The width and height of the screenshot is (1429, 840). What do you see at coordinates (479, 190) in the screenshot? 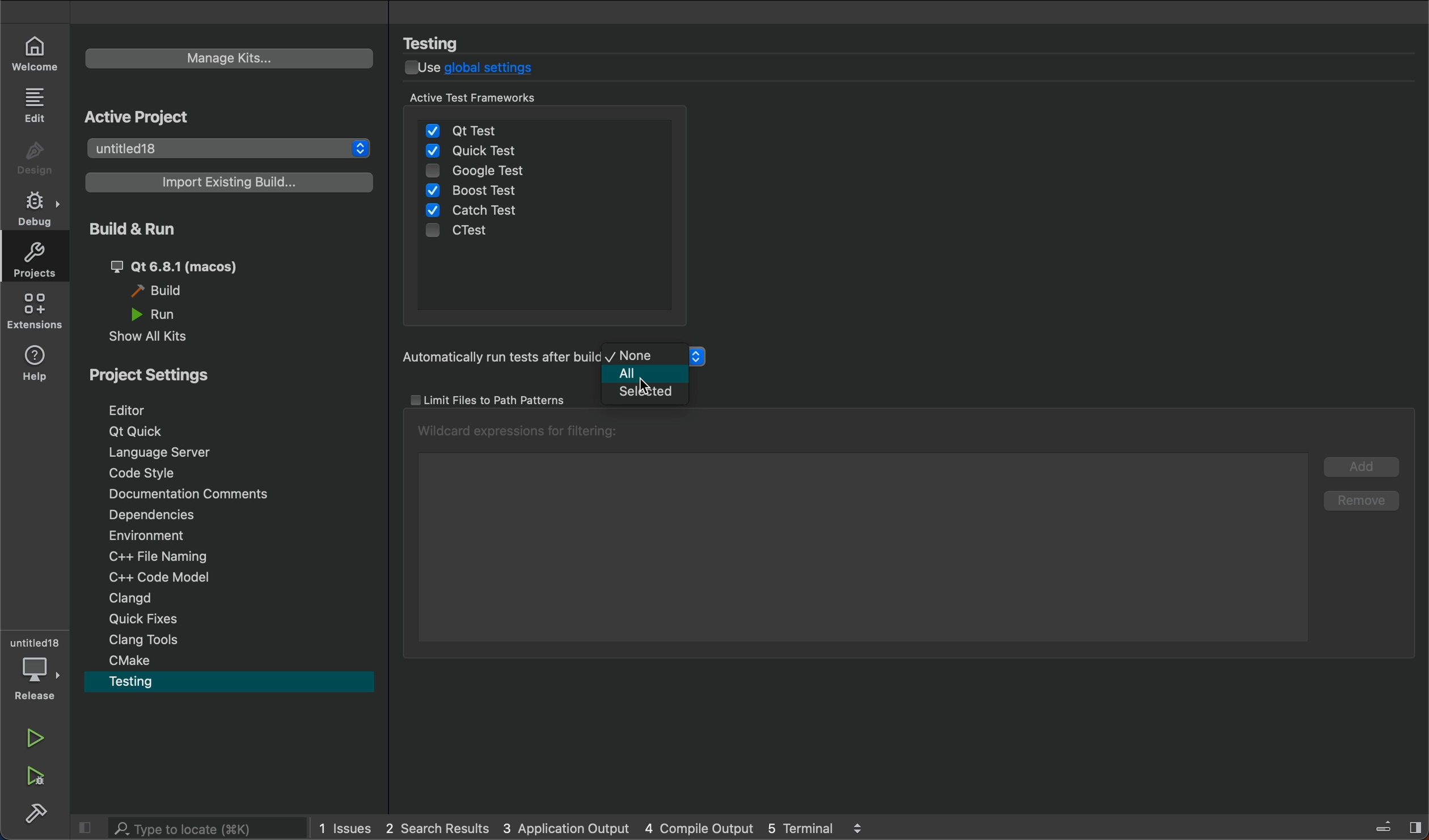
I see `Boost test` at bounding box center [479, 190].